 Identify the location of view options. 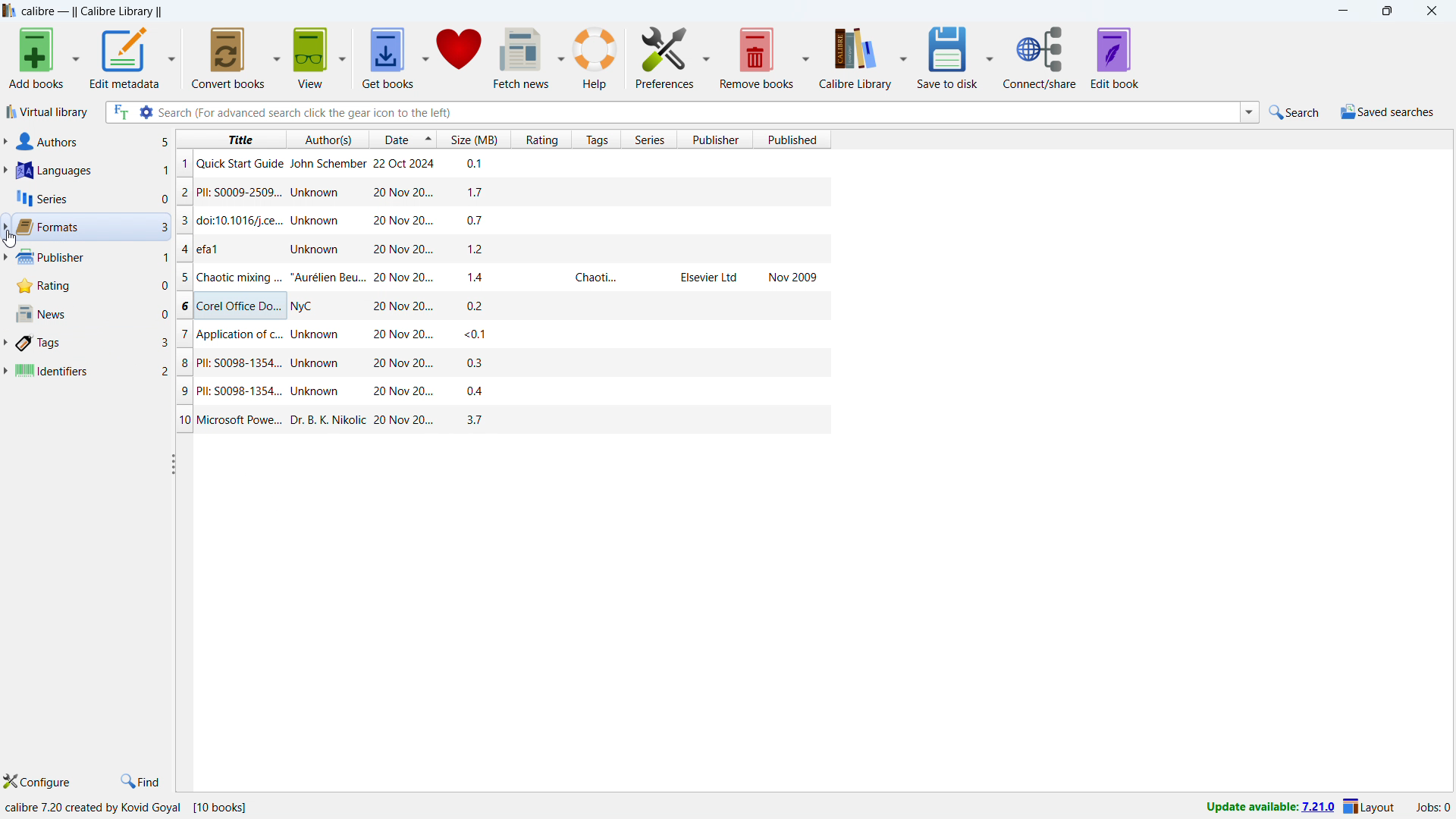
(342, 57).